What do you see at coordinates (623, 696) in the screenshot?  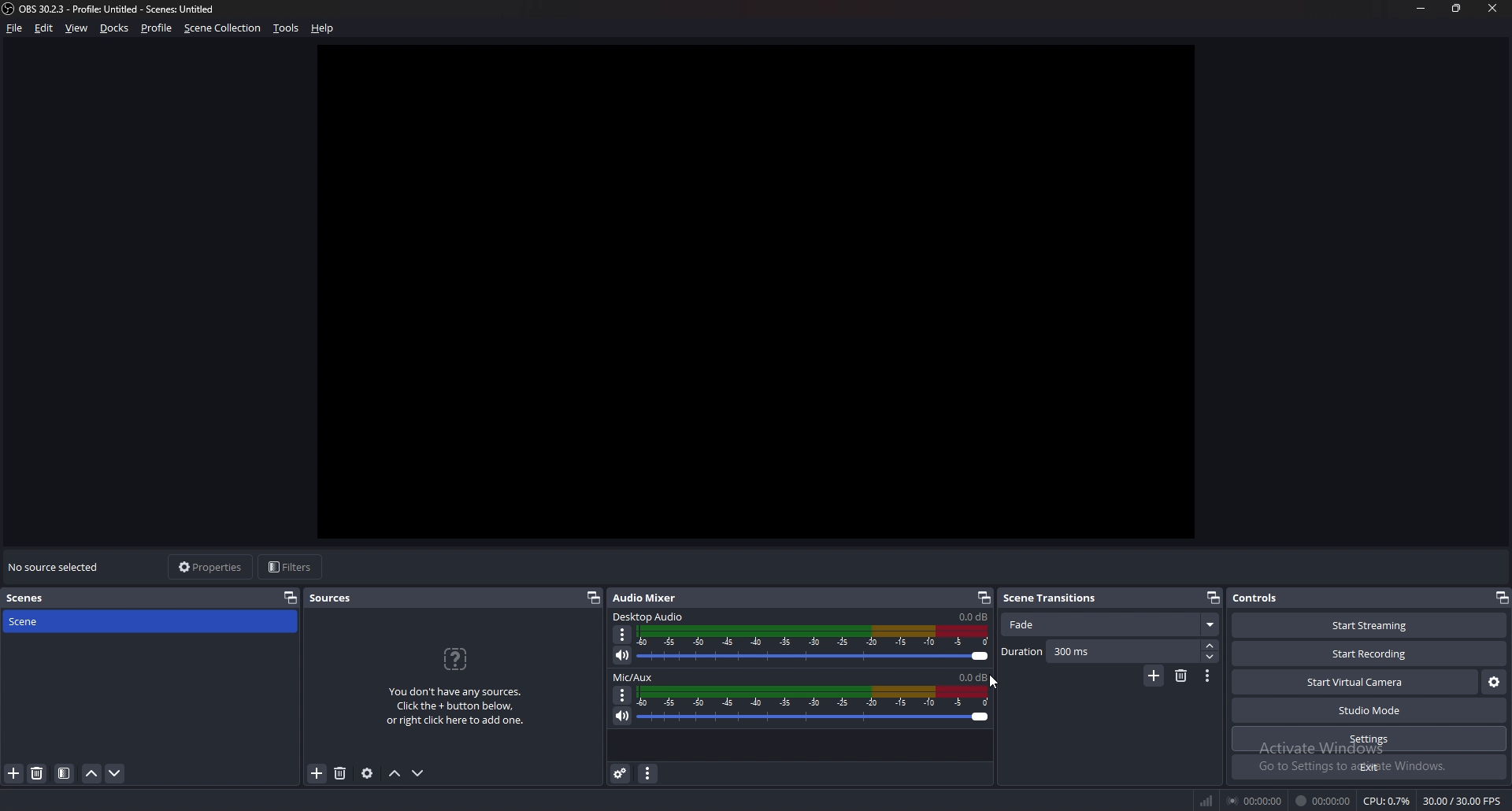 I see `options` at bounding box center [623, 696].